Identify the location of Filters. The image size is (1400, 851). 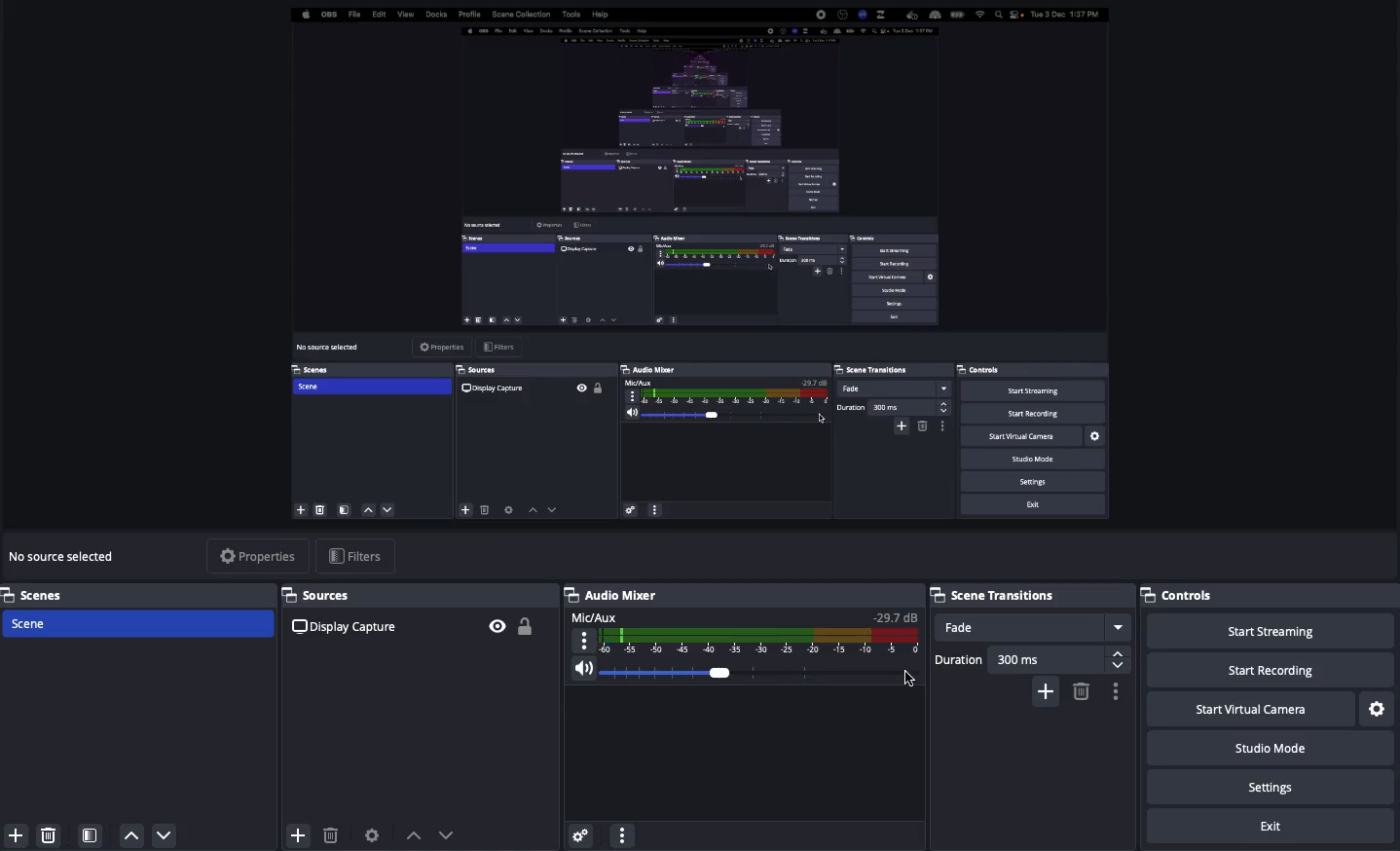
(362, 556).